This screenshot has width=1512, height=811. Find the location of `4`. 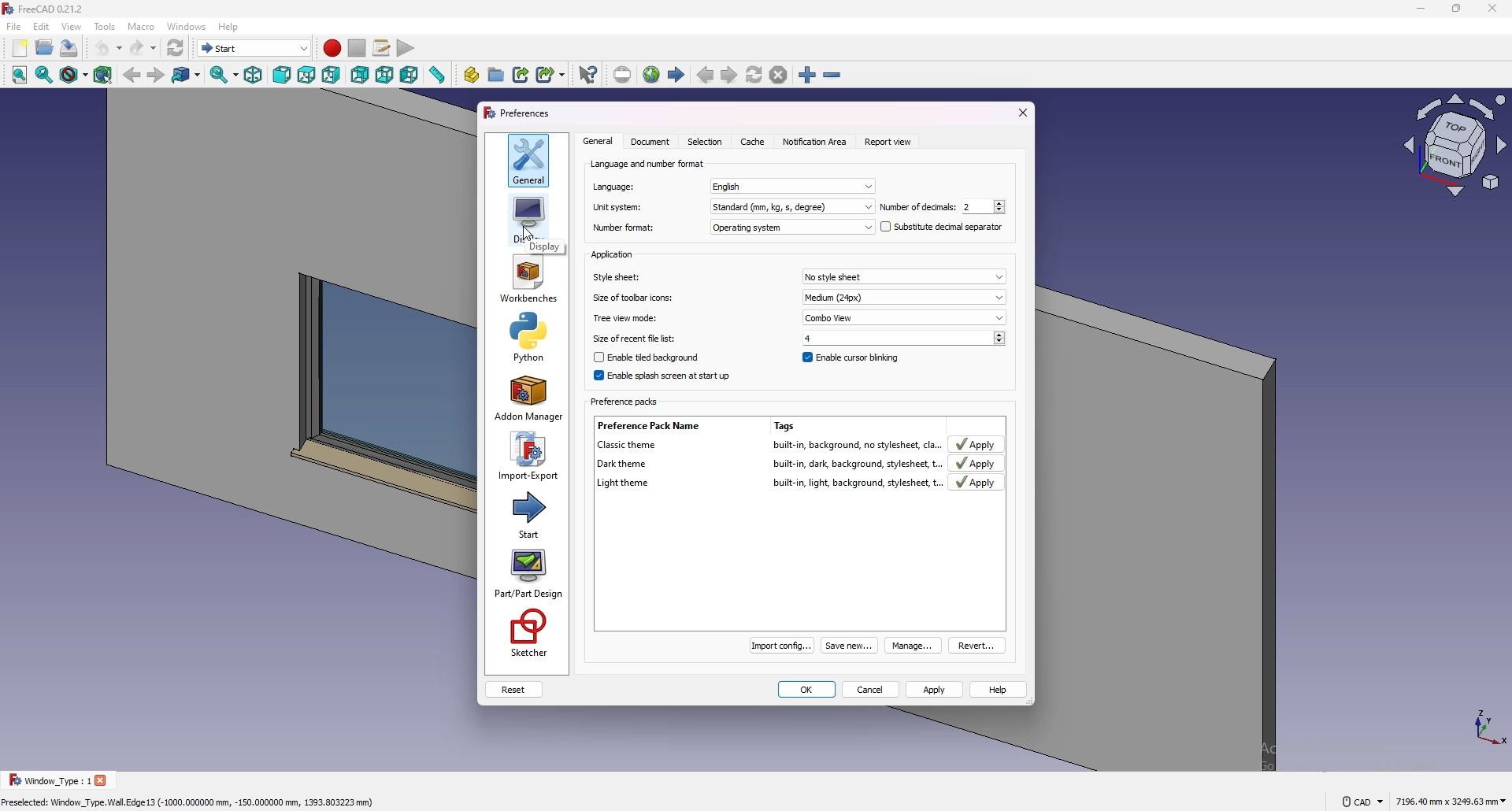

4 is located at coordinates (904, 336).